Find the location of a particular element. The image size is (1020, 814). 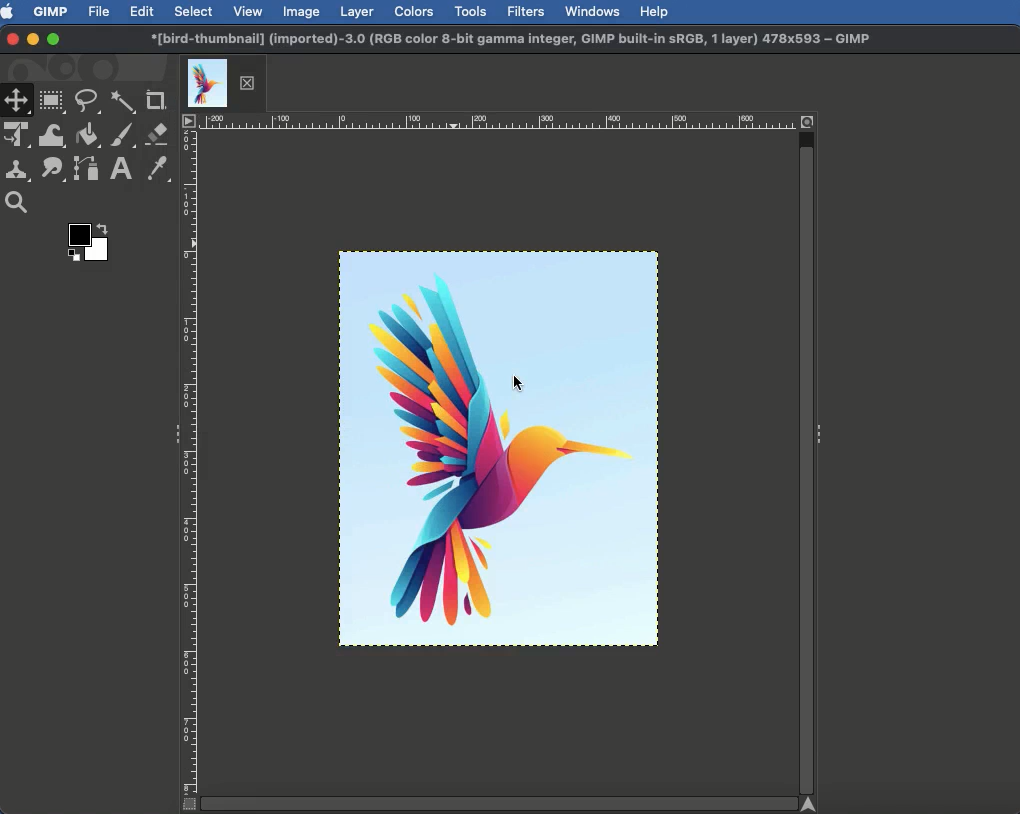

Image is located at coordinates (301, 13).